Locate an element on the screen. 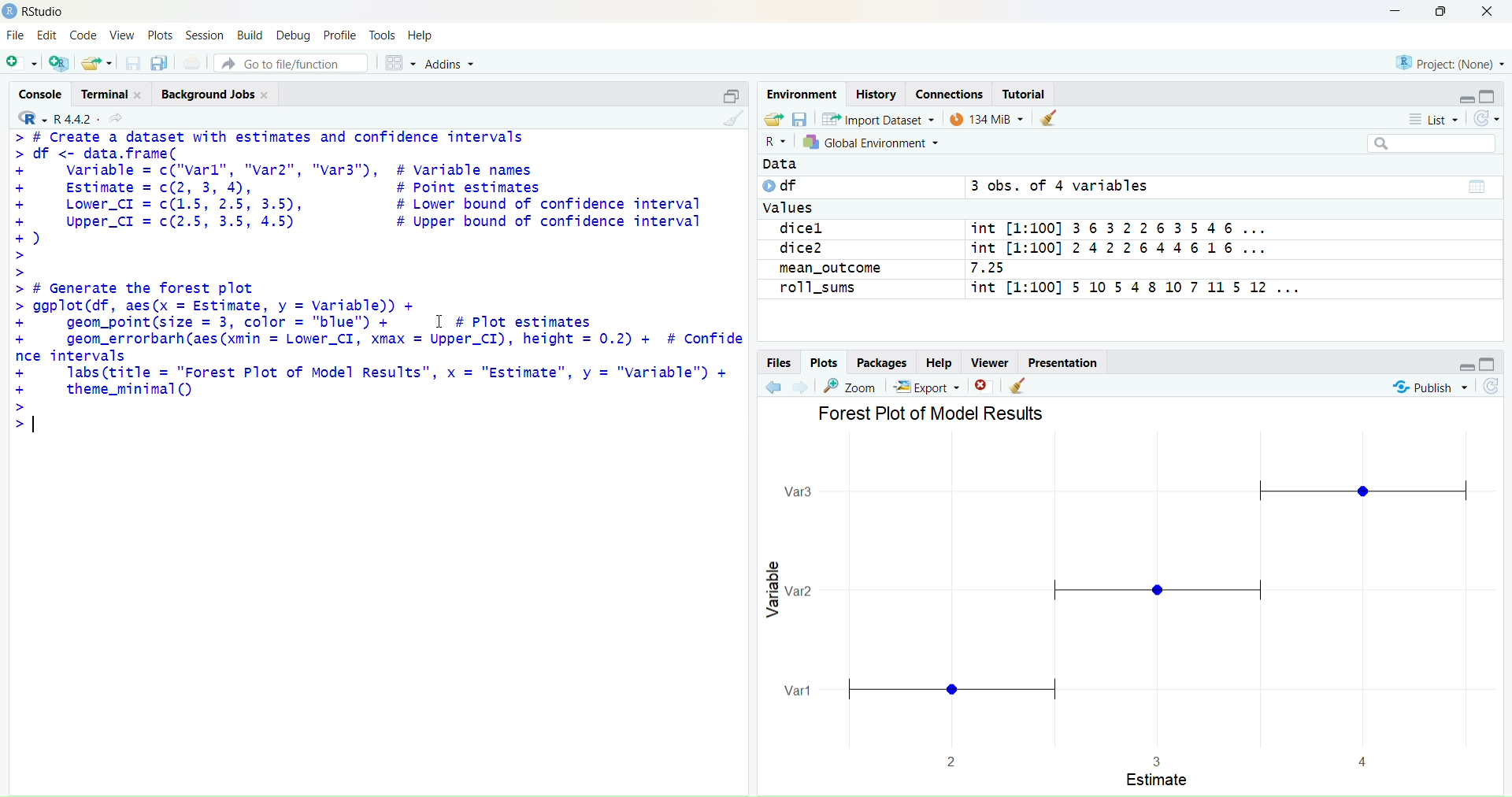 This screenshot has height=797, width=1512. Debug is located at coordinates (291, 35).